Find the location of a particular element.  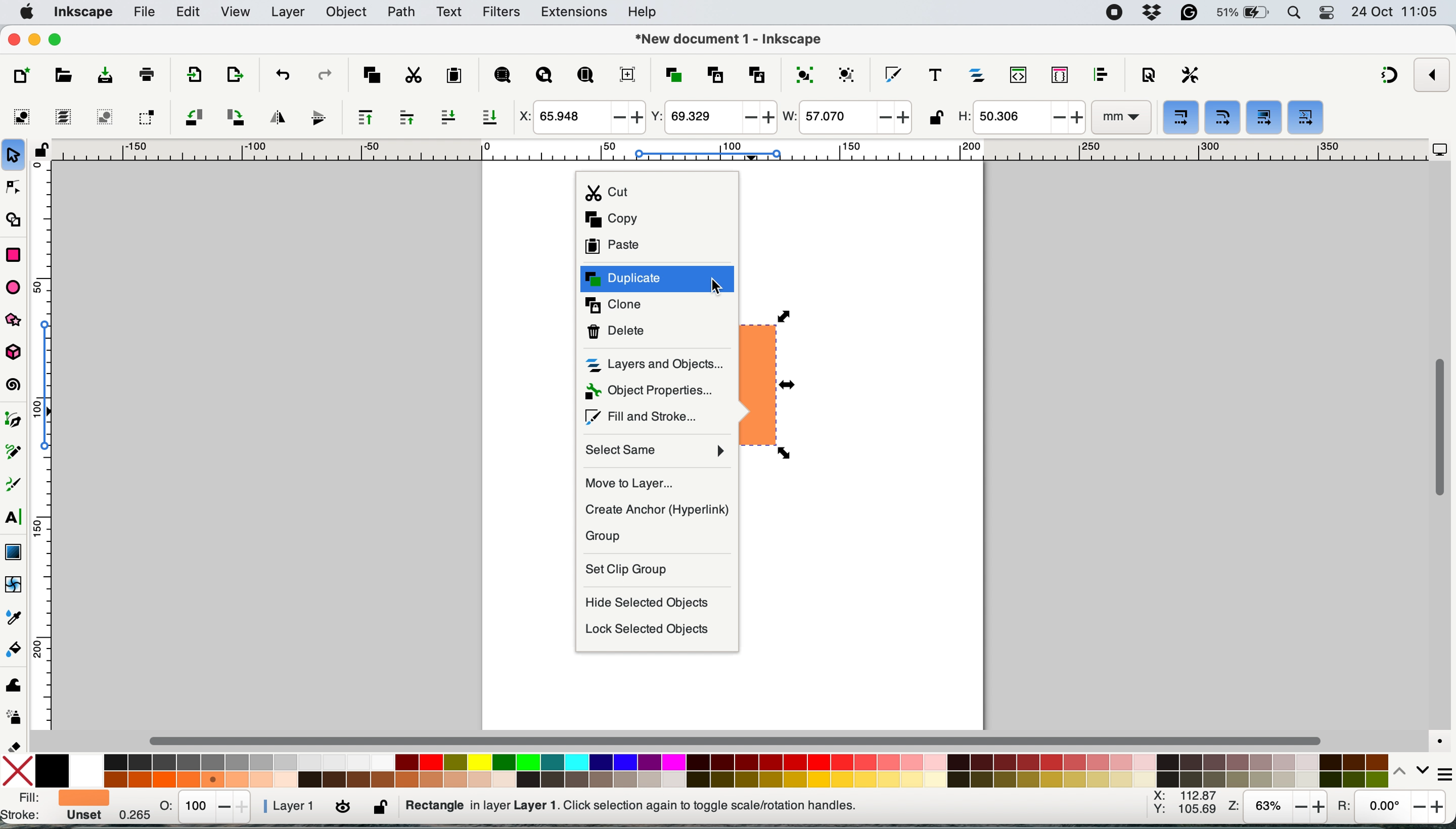

text tool is located at coordinates (14, 518).